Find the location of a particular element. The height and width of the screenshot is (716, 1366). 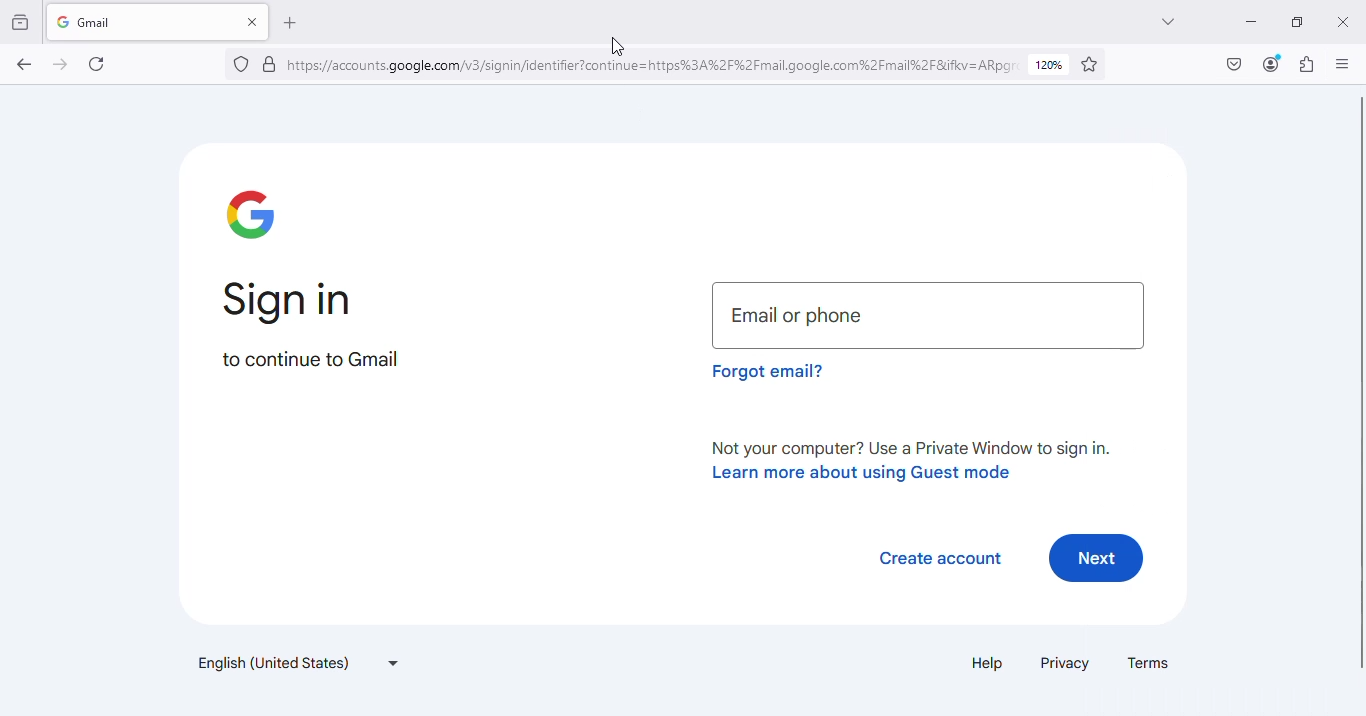

bookmark this page is located at coordinates (1090, 64).